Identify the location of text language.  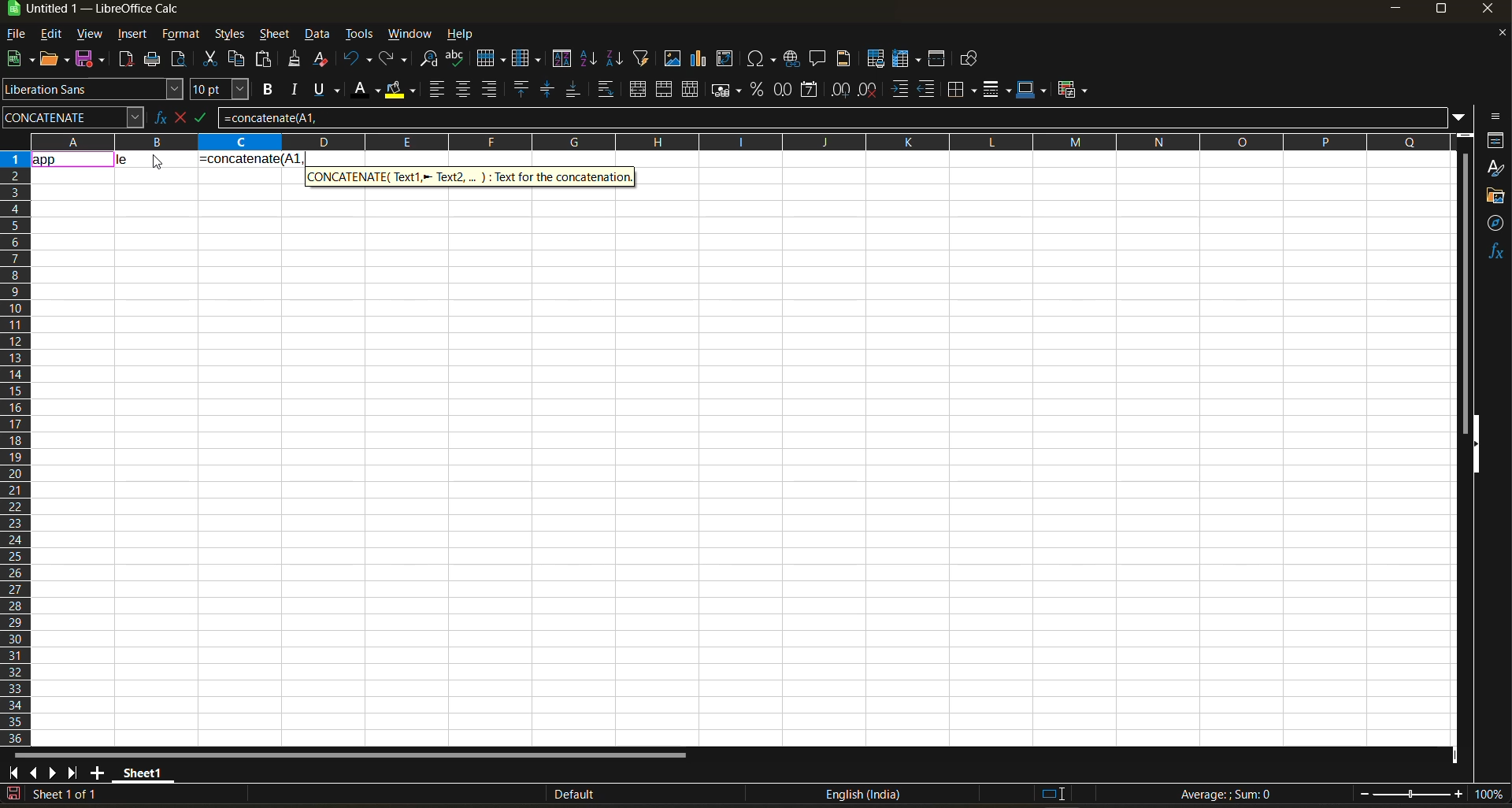
(862, 794).